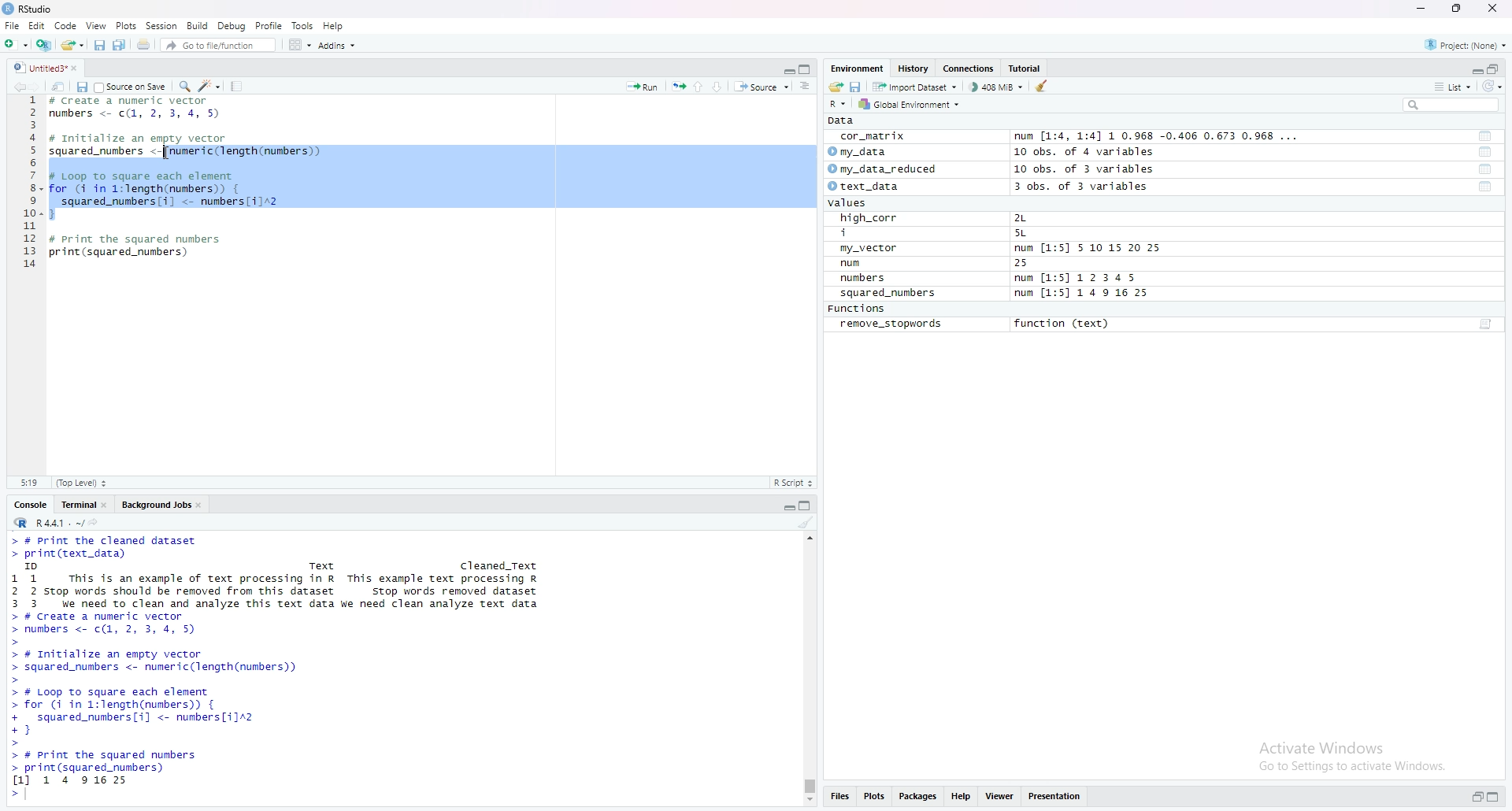 This screenshot has width=1512, height=811. What do you see at coordinates (870, 218) in the screenshot?
I see `high_corr` at bounding box center [870, 218].